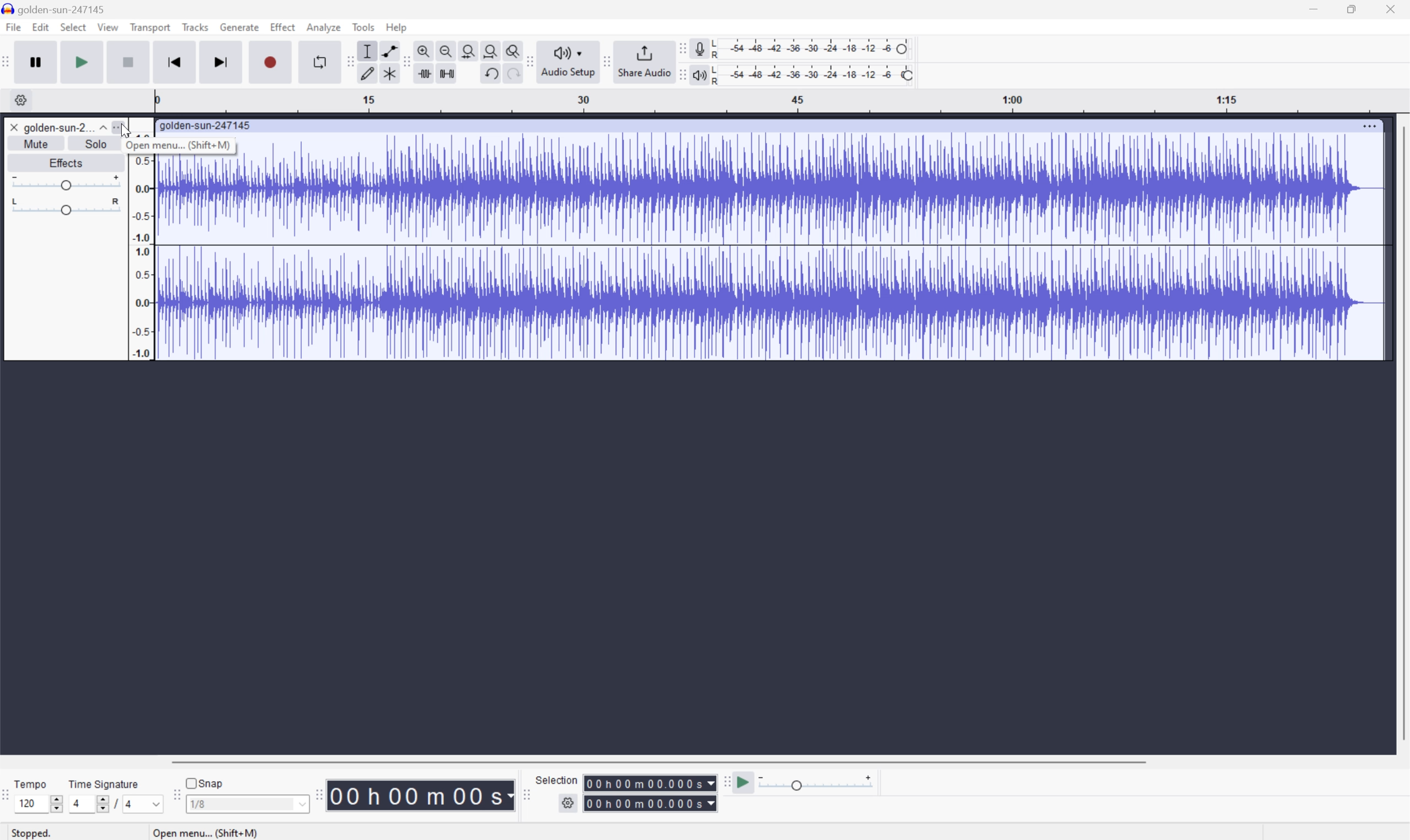 The height and width of the screenshot is (840, 1410). What do you see at coordinates (680, 70) in the screenshot?
I see `Audacity playback meter toolbar` at bounding box center [680, 70].